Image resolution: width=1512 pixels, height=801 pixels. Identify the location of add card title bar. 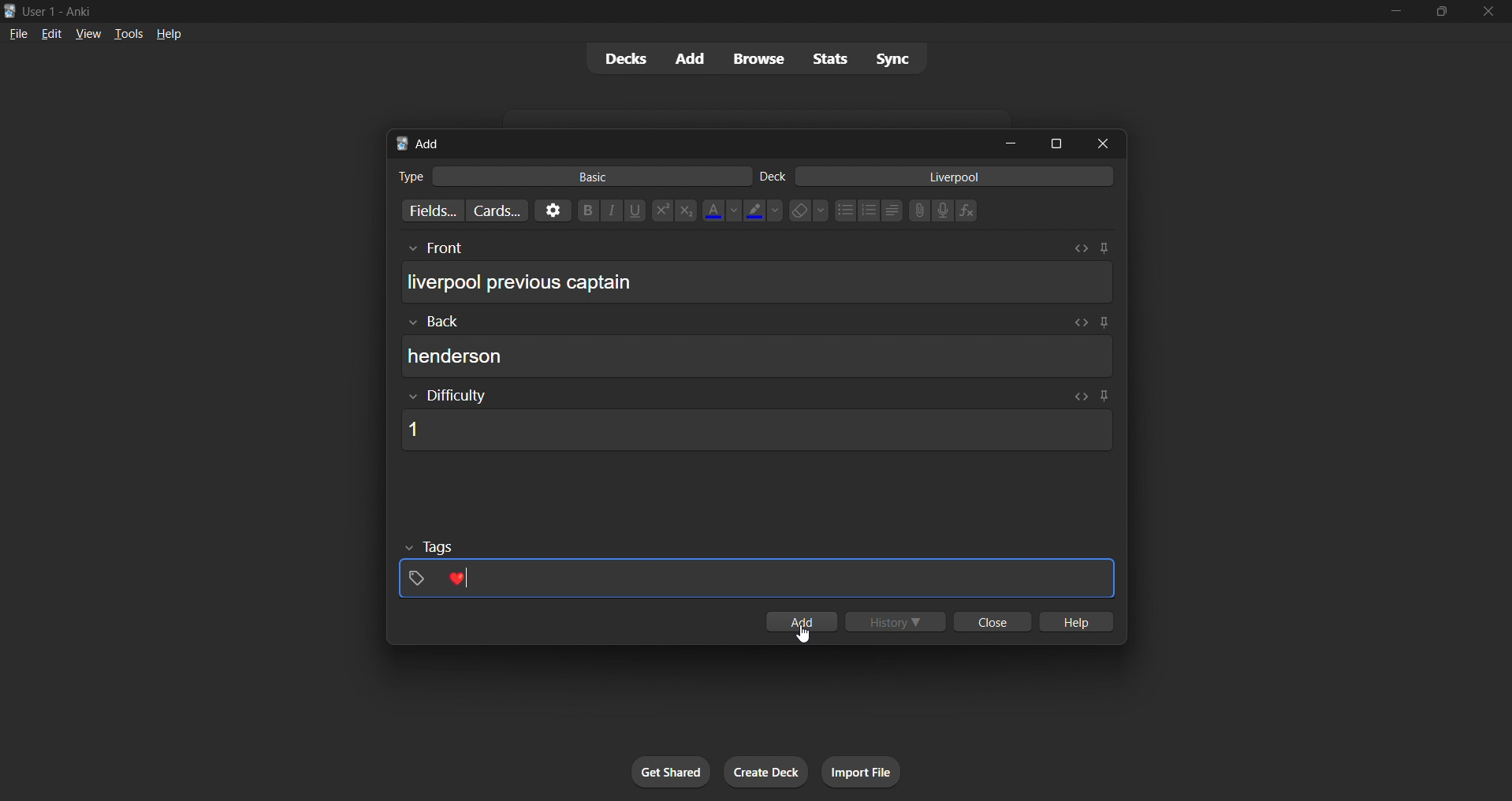
(689, 141).